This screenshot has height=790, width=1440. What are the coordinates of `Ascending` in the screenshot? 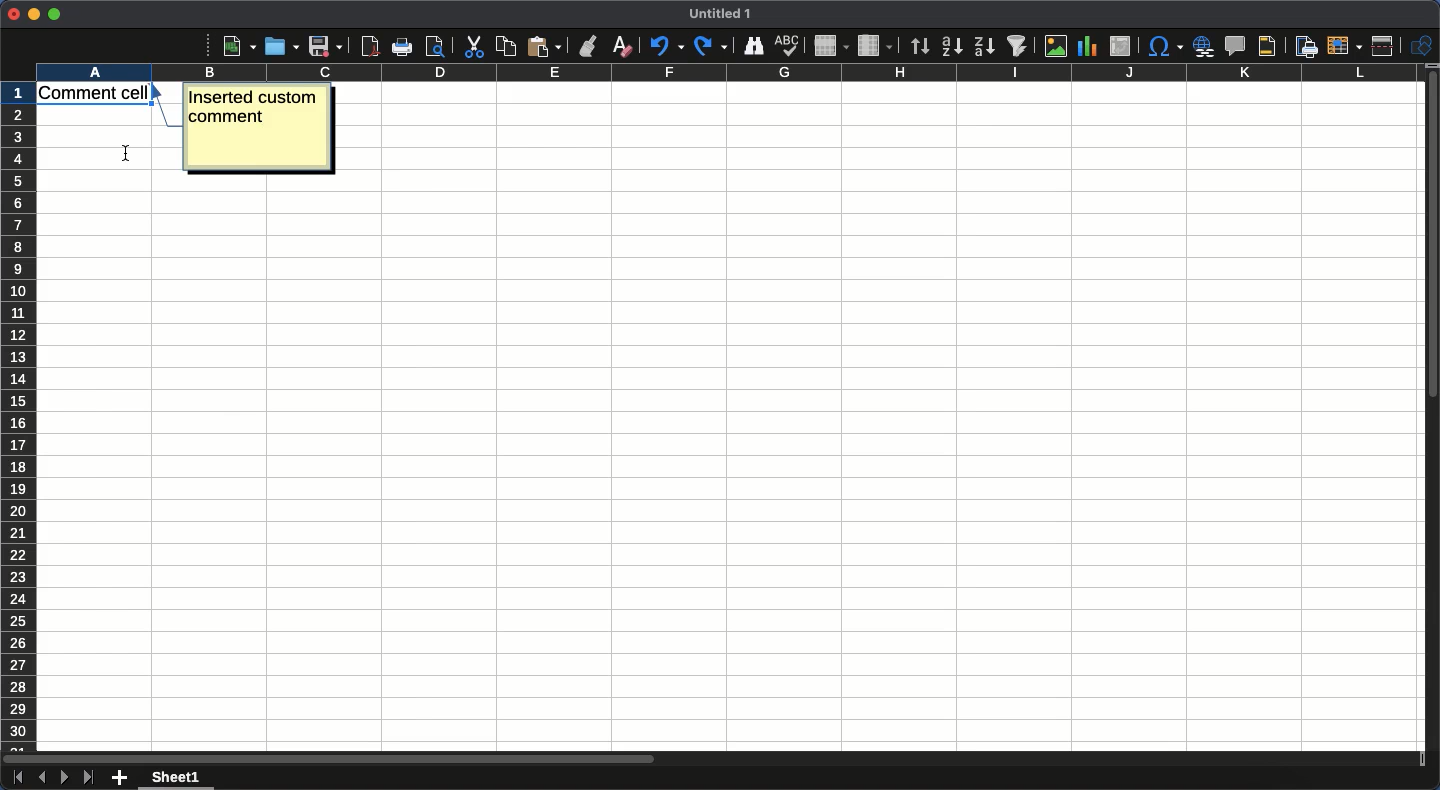 It's located at (949, 45).